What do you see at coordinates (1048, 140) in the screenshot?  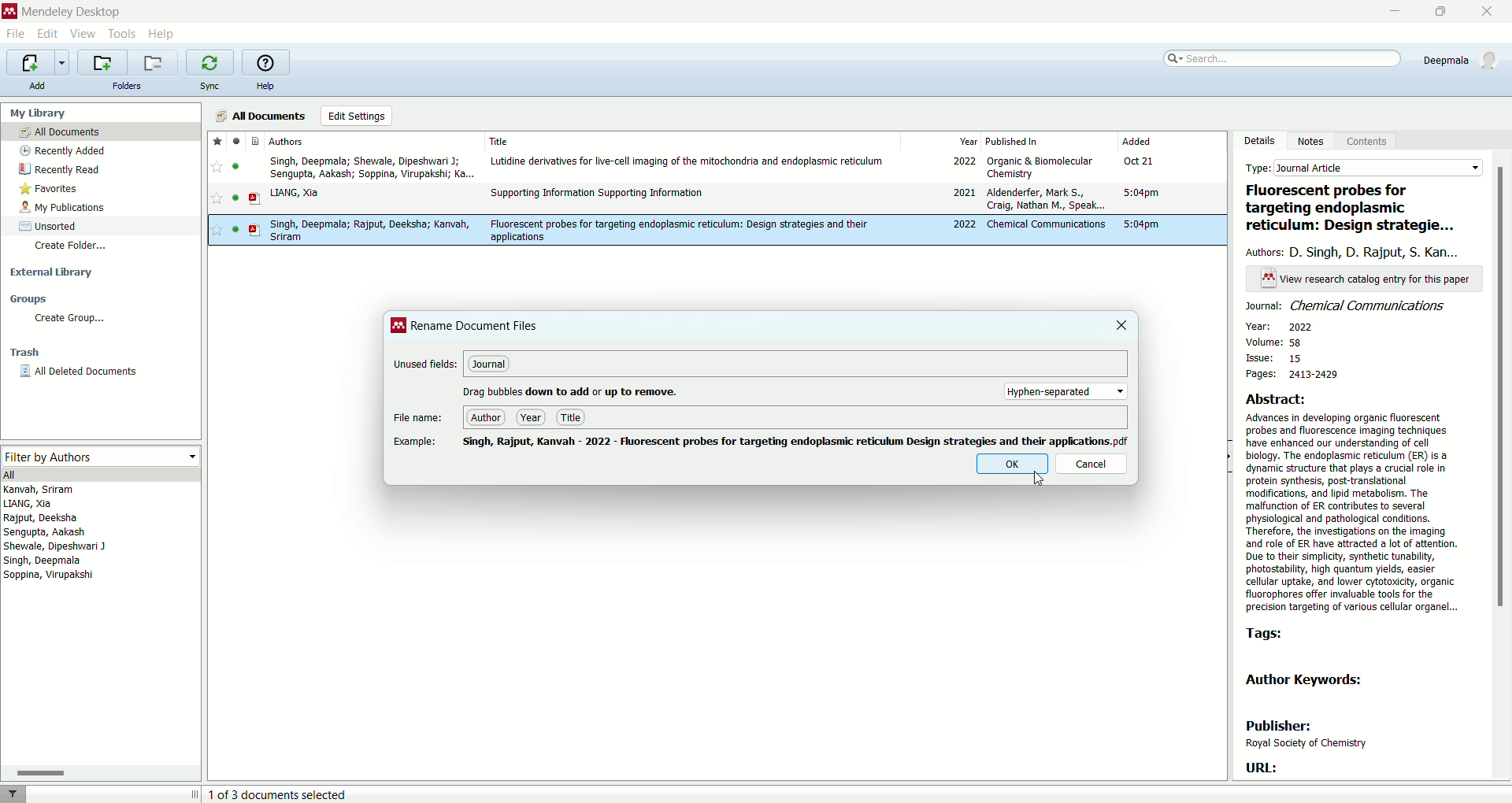 I see `published in` at bounding box center [1048, 140].